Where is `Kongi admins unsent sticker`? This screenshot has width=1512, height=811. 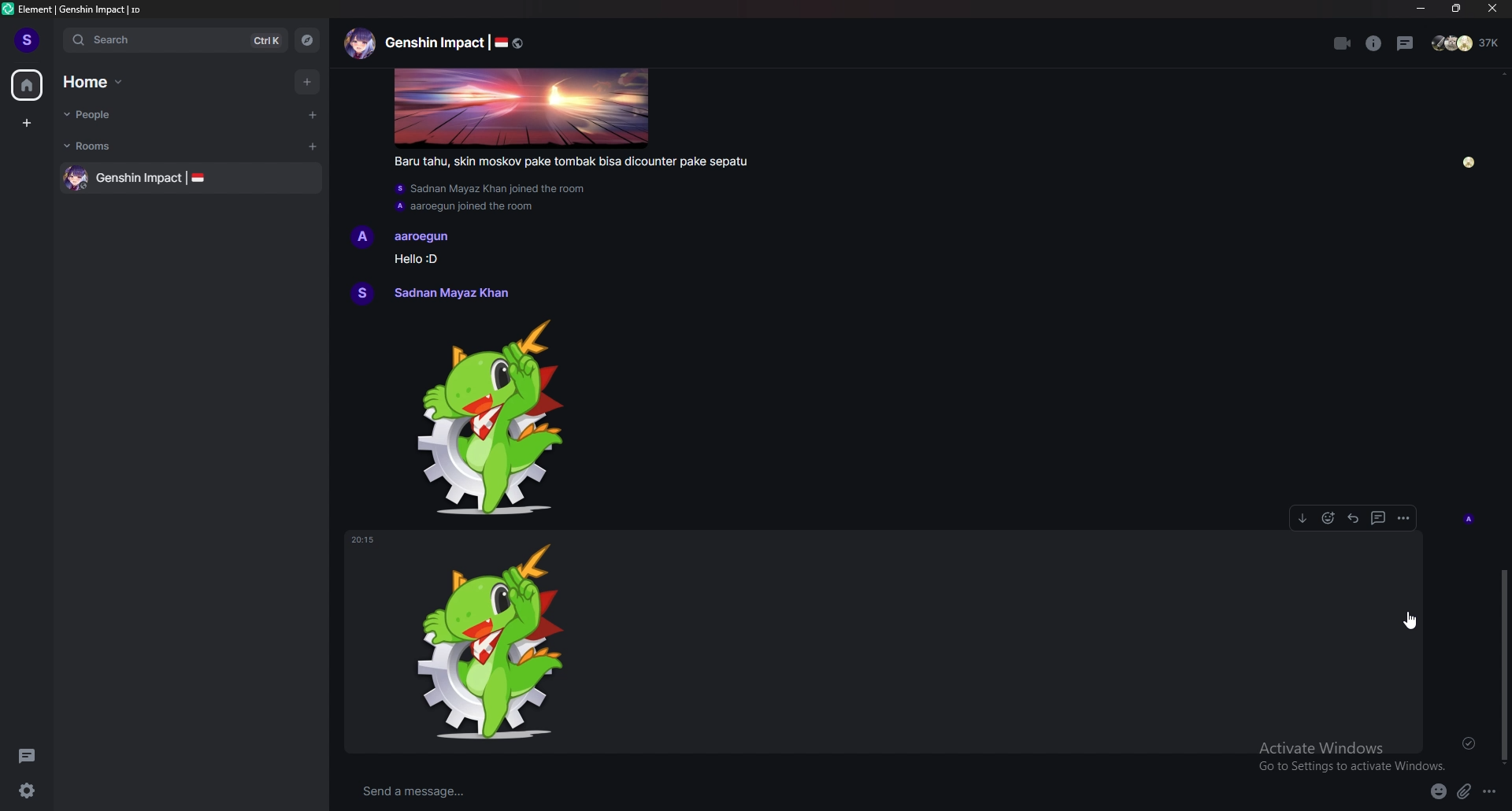
Kongi admins unsent sticker is located at coordinates (490, 641).